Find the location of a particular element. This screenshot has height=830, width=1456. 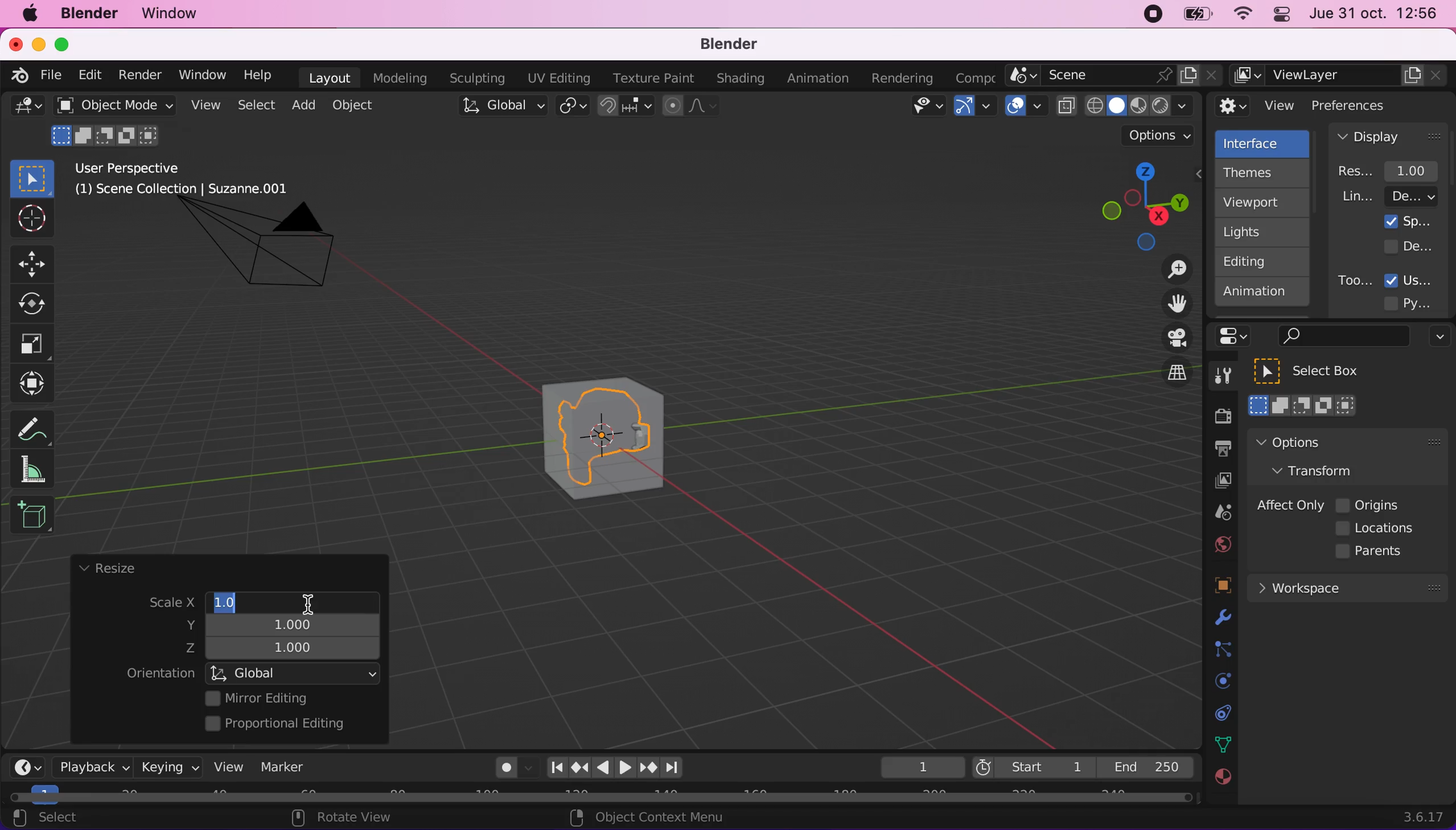

render is located at coordinates (139, 76).